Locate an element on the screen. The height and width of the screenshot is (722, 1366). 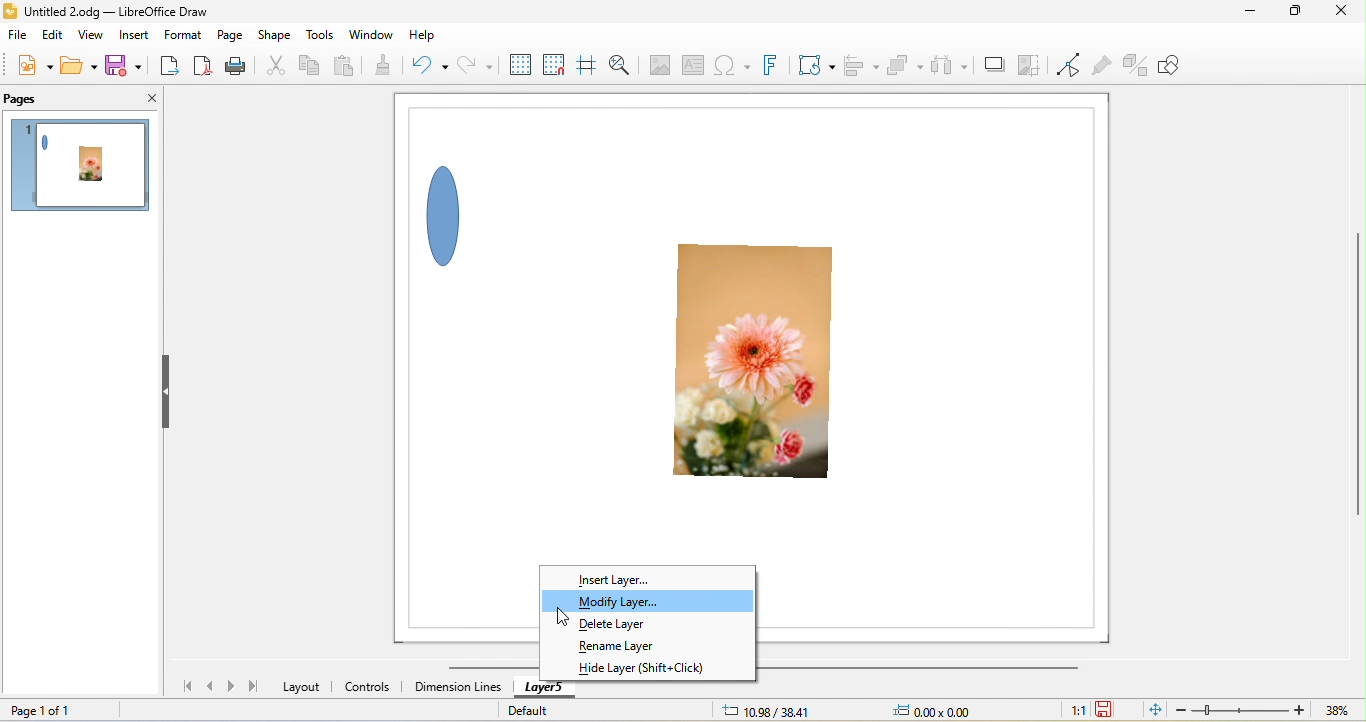
rename layer is located at coordinates (626, 646).